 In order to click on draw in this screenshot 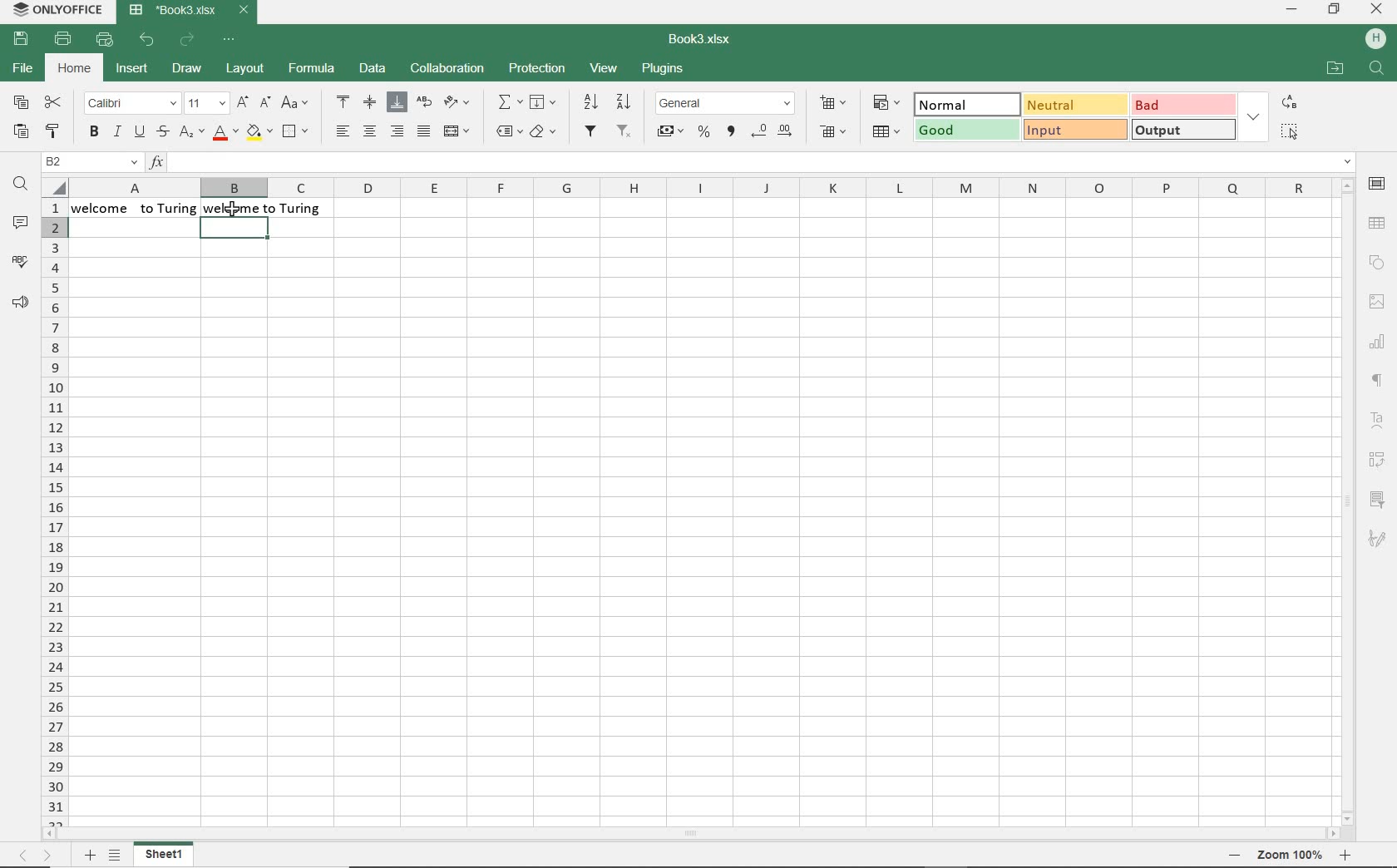, I will do `click(187, 69)`.